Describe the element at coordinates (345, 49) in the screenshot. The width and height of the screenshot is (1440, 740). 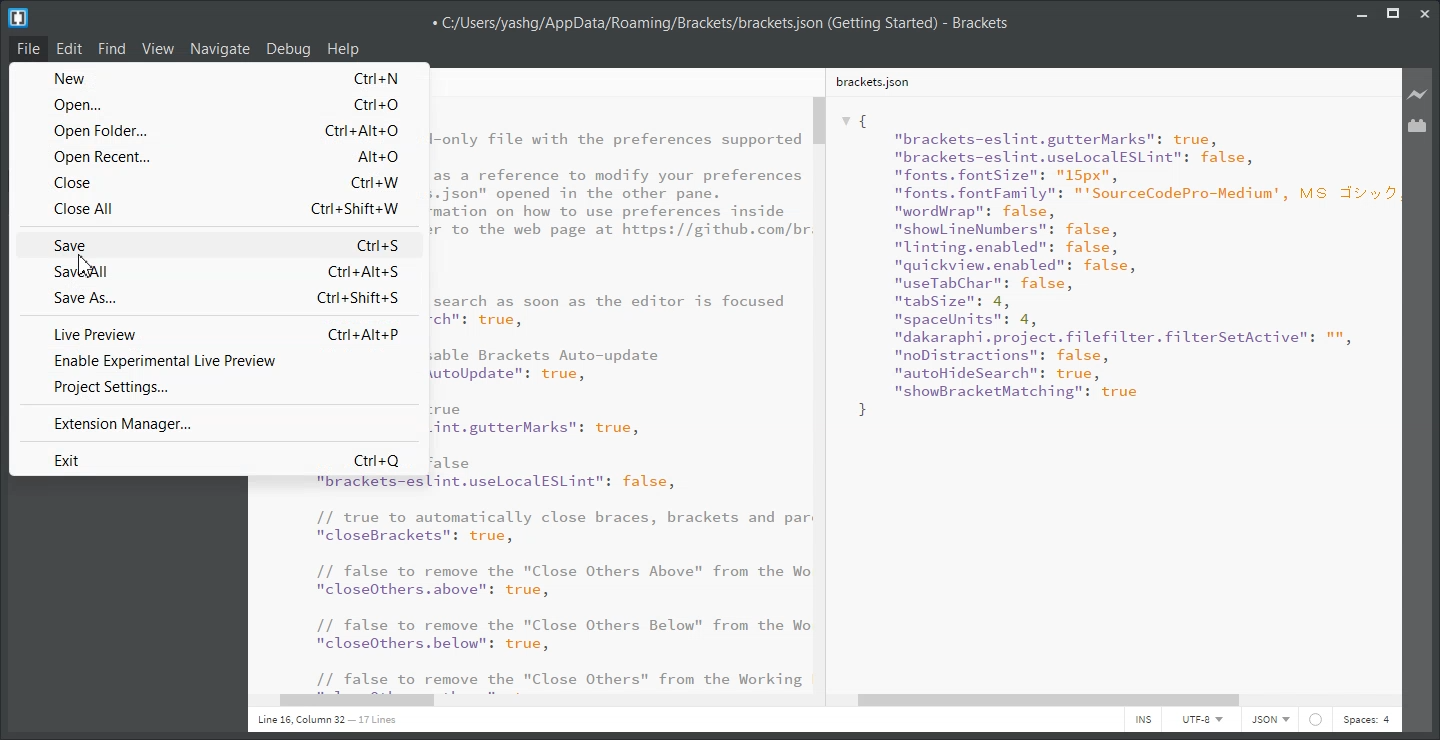
I see `Help` at that location.